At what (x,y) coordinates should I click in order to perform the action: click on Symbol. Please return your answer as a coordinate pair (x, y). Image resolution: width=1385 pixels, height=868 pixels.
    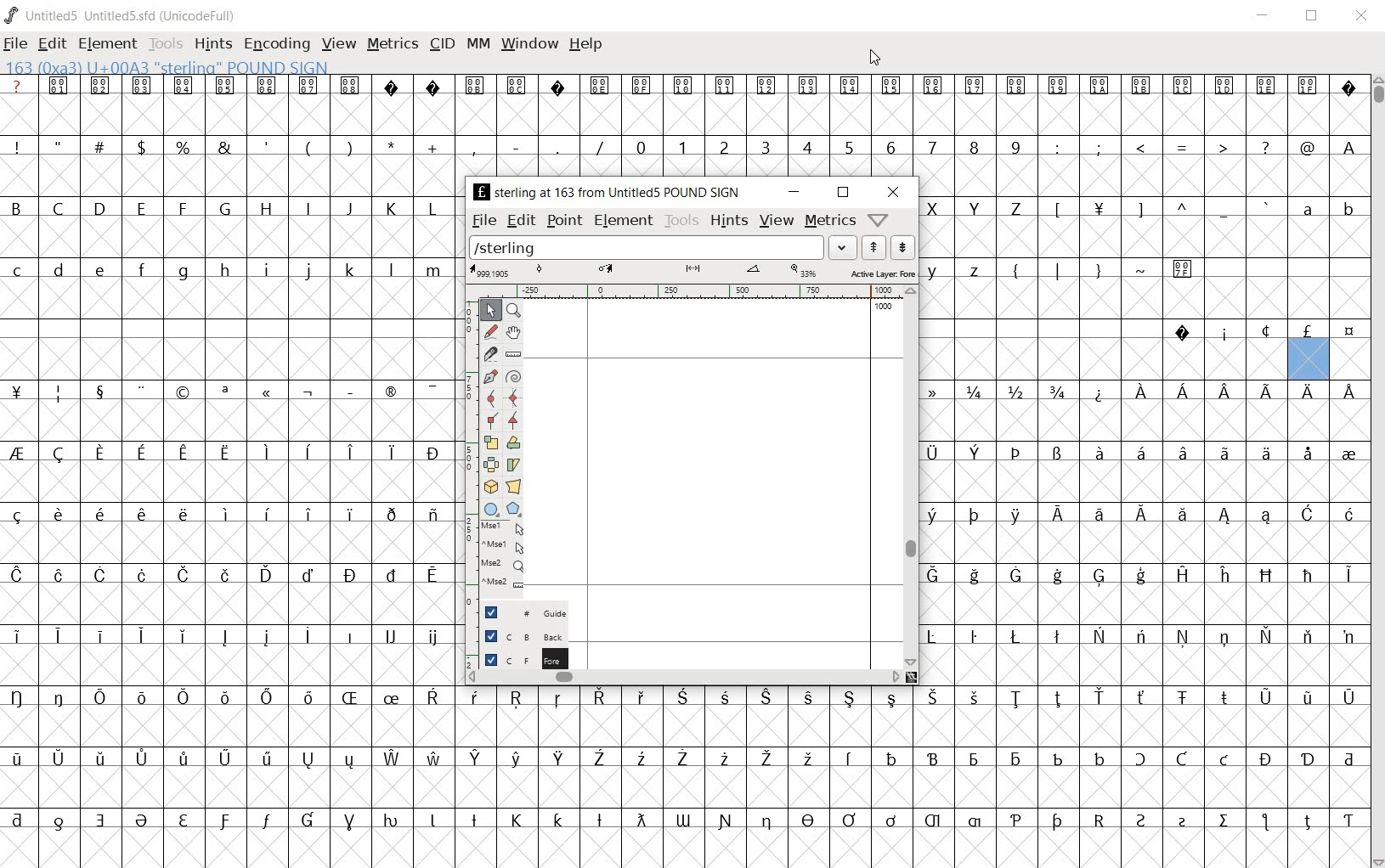
    Looking at the image, I should click on (1055, 822).